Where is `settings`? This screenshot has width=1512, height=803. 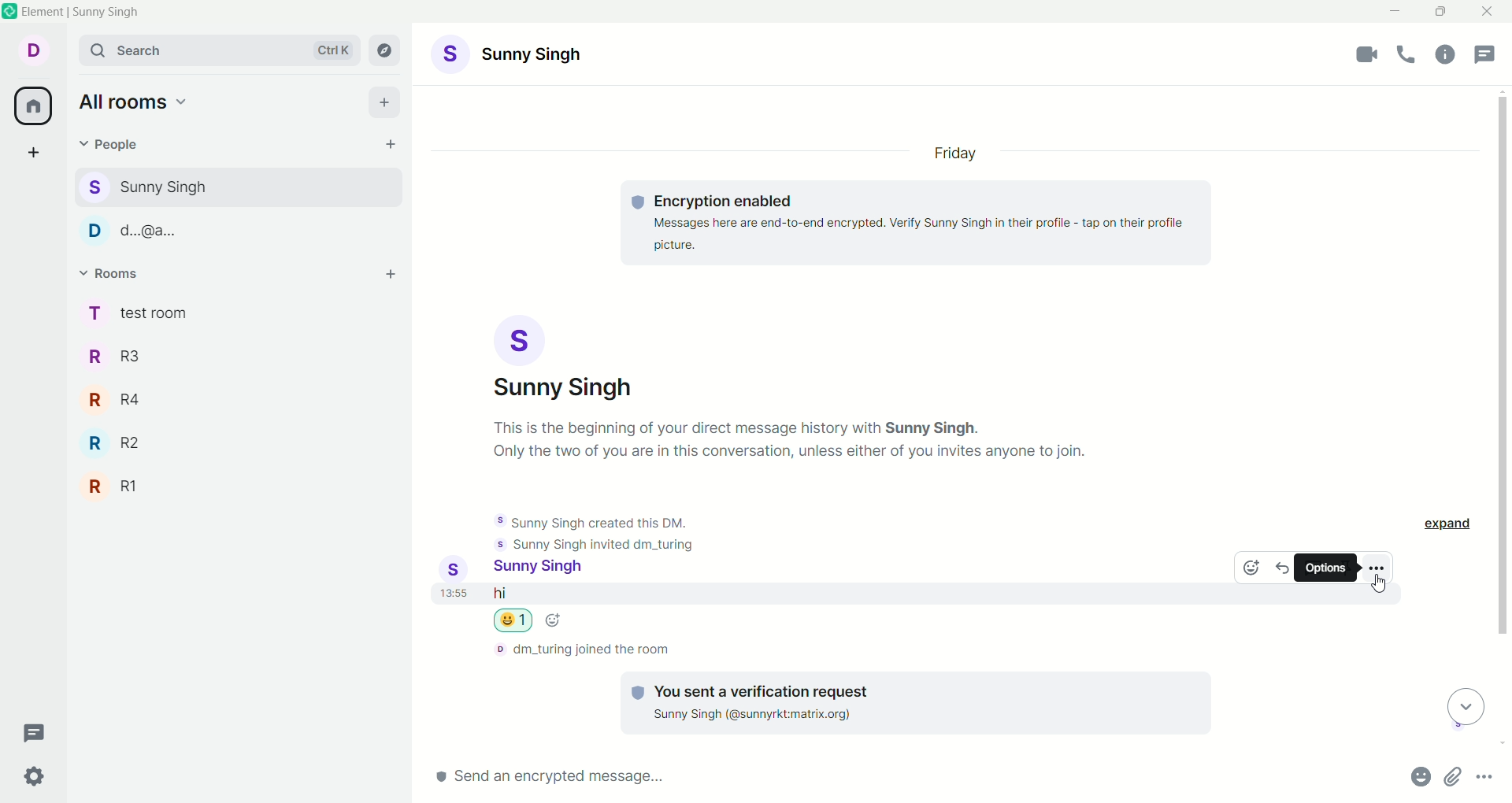 settings is located at coordinates (40, 777).